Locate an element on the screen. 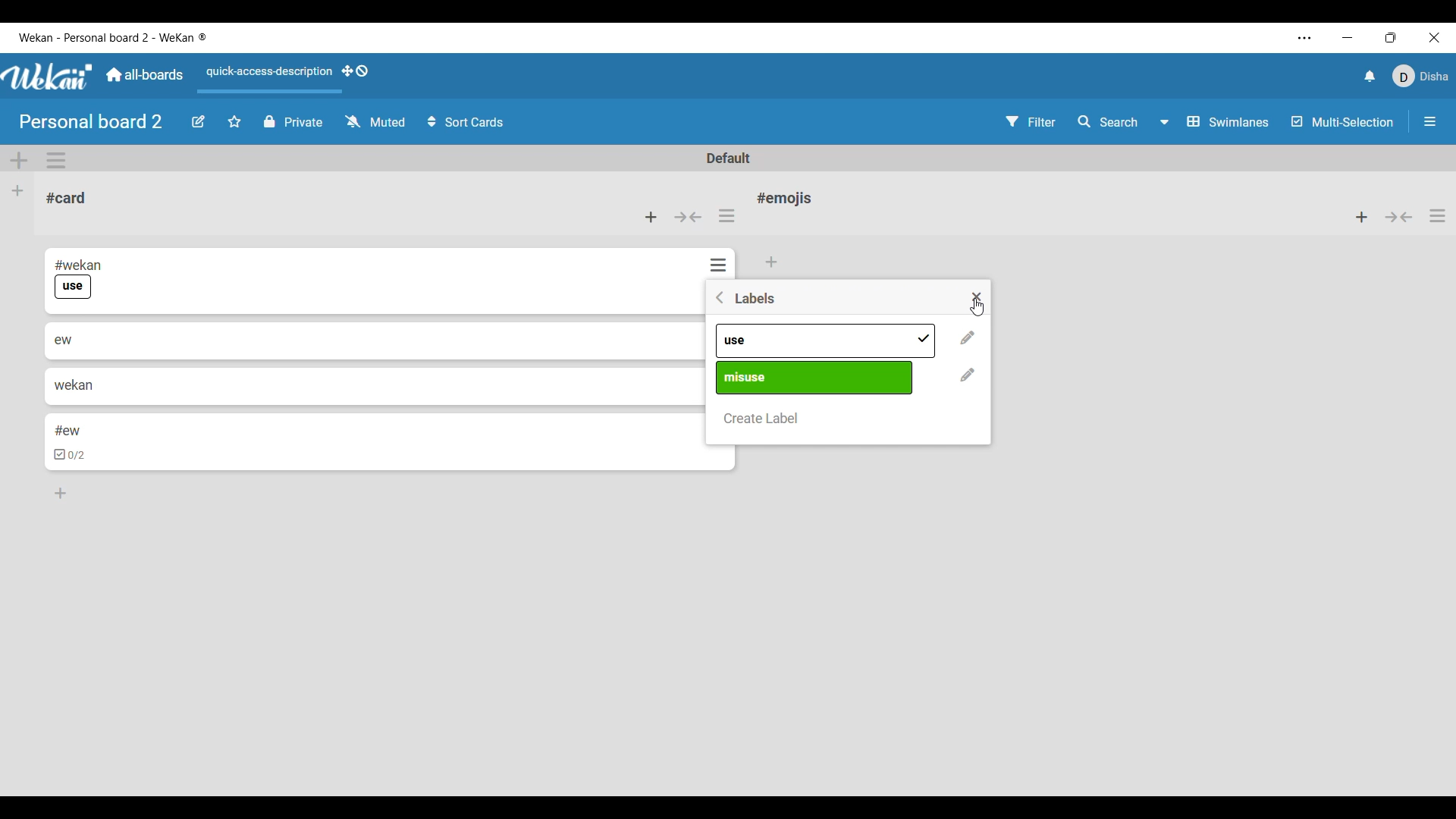 The width and height of the screenshot is (1456, 819). #ew is located at coordinates (67, 430).